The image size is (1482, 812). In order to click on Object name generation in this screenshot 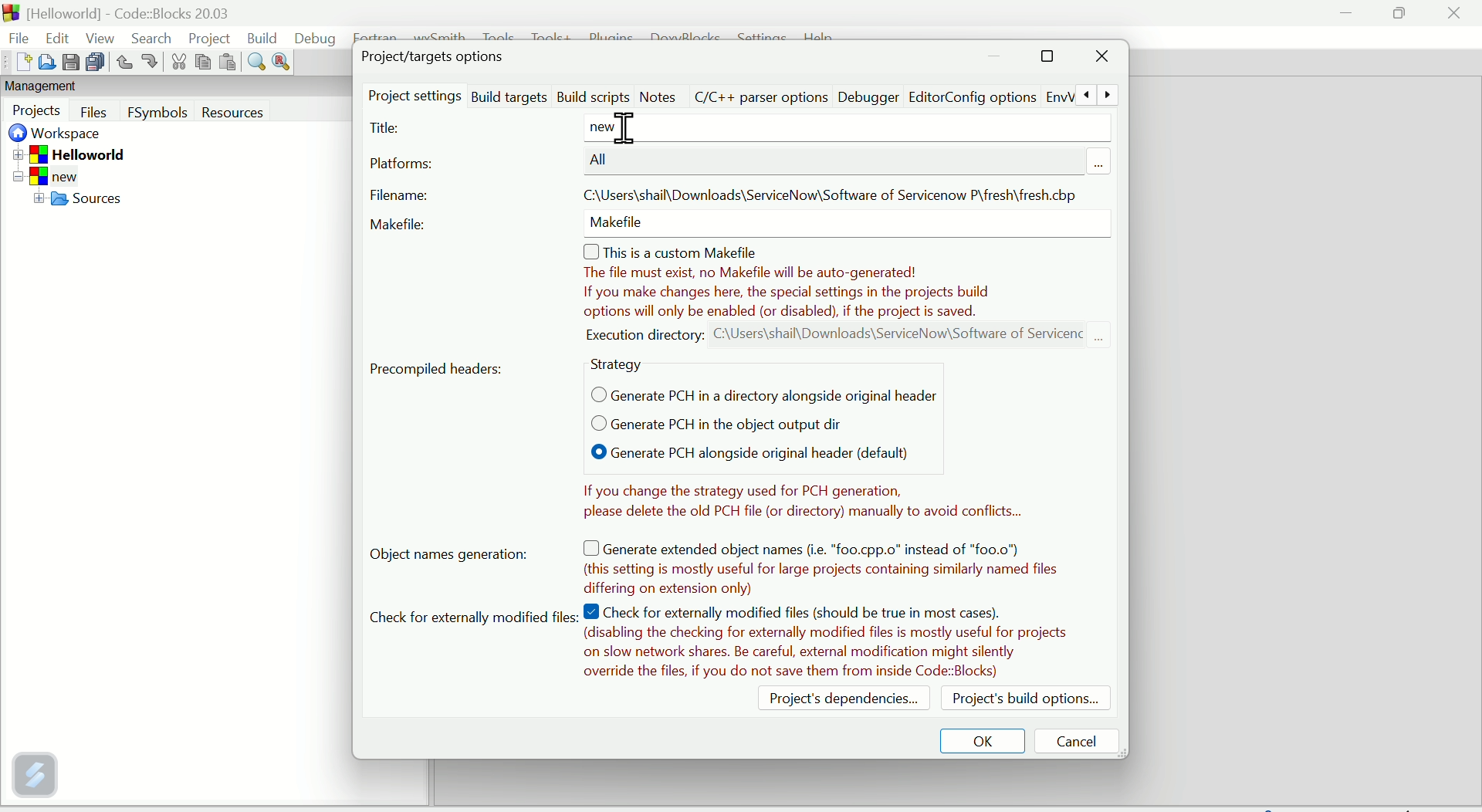, I will do `click(462, 556)`.